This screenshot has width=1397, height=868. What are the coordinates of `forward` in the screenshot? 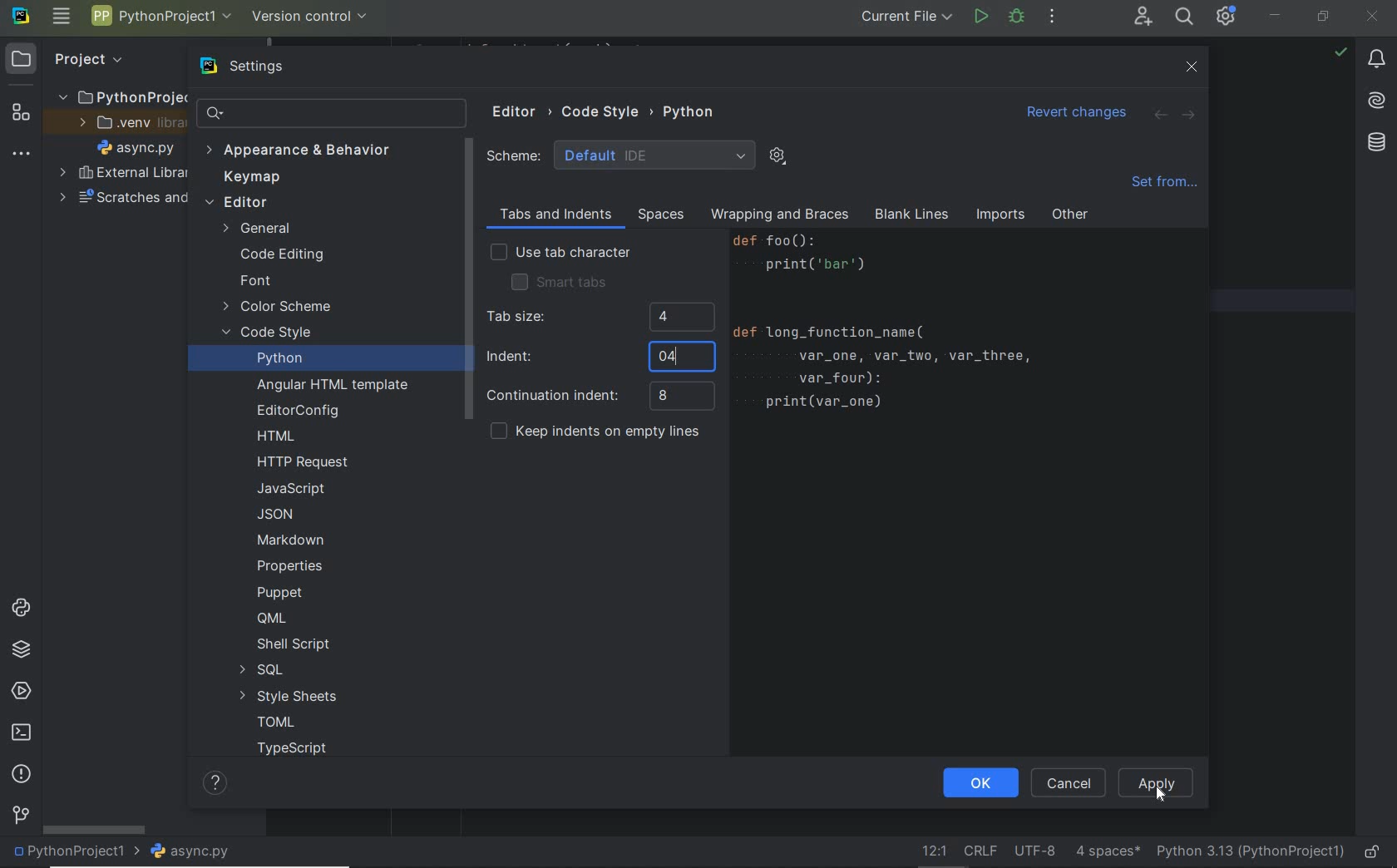 It's located at (1186, 116).